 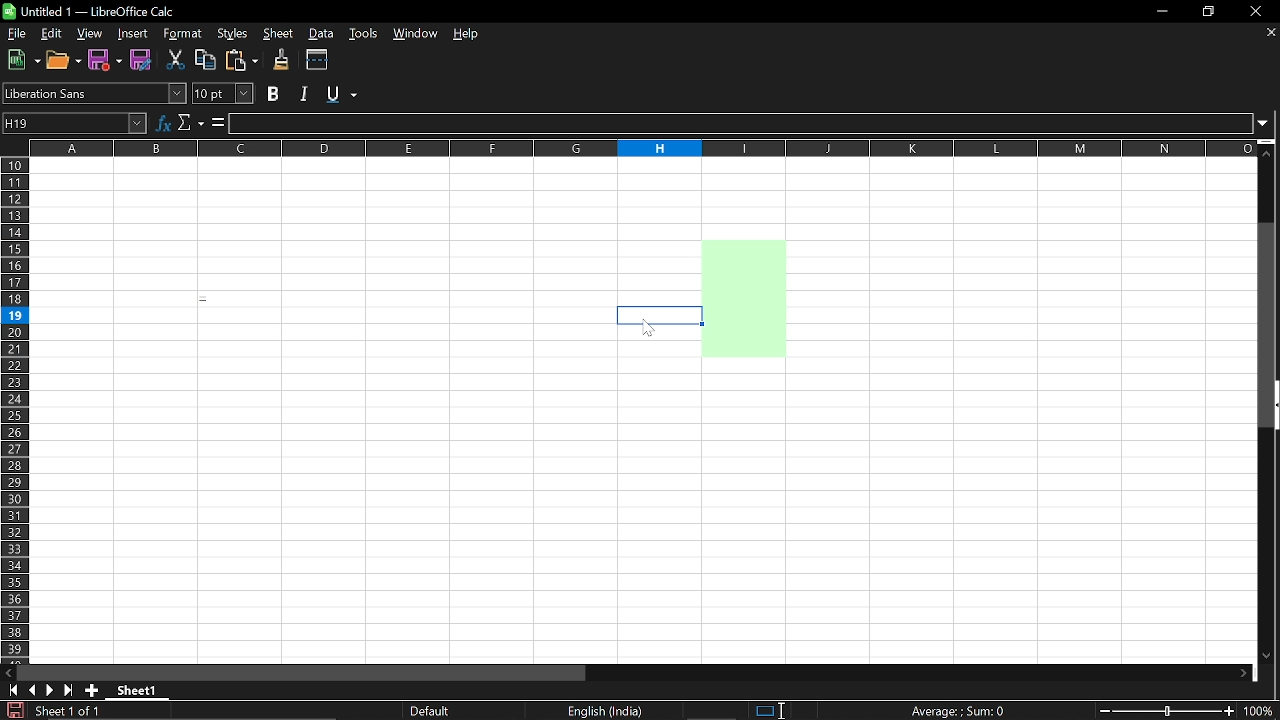 I want to click on Current sheet, so click(x=136, y=690).